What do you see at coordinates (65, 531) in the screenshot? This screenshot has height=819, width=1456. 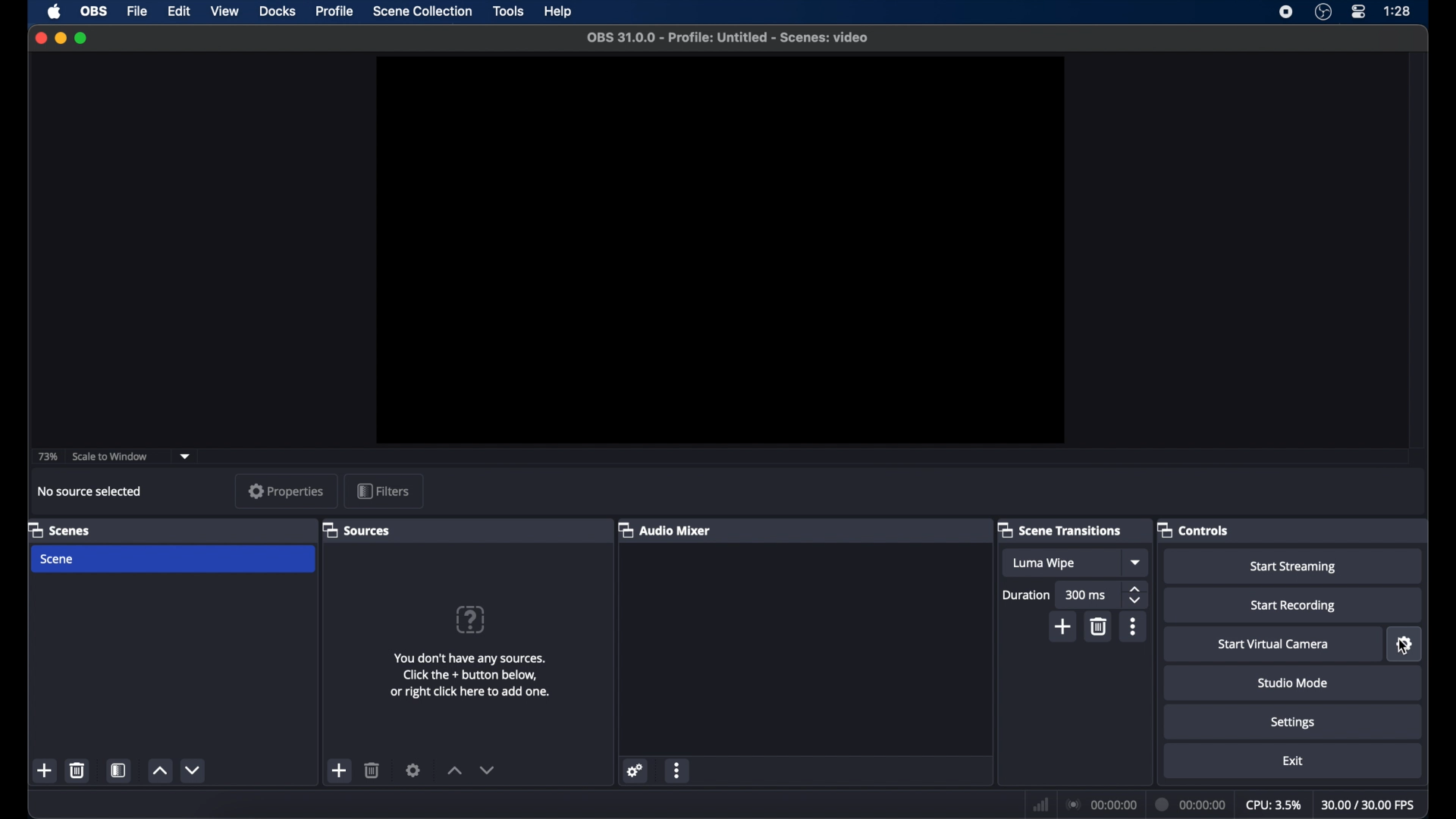 I see `scenes` at bounding box center [65, 531].